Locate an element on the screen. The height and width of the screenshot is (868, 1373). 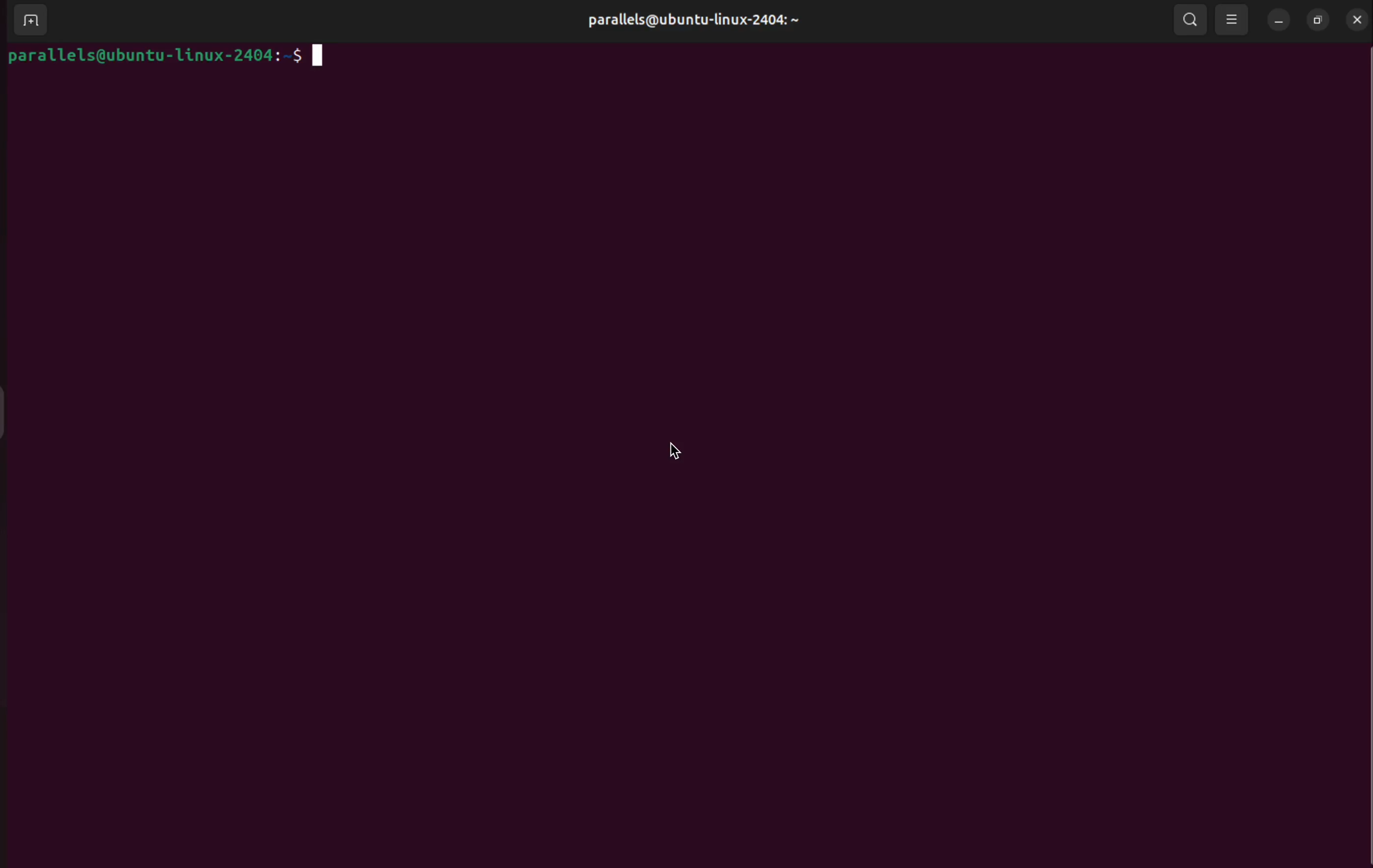
resize is located at coordinates (1318, 19).